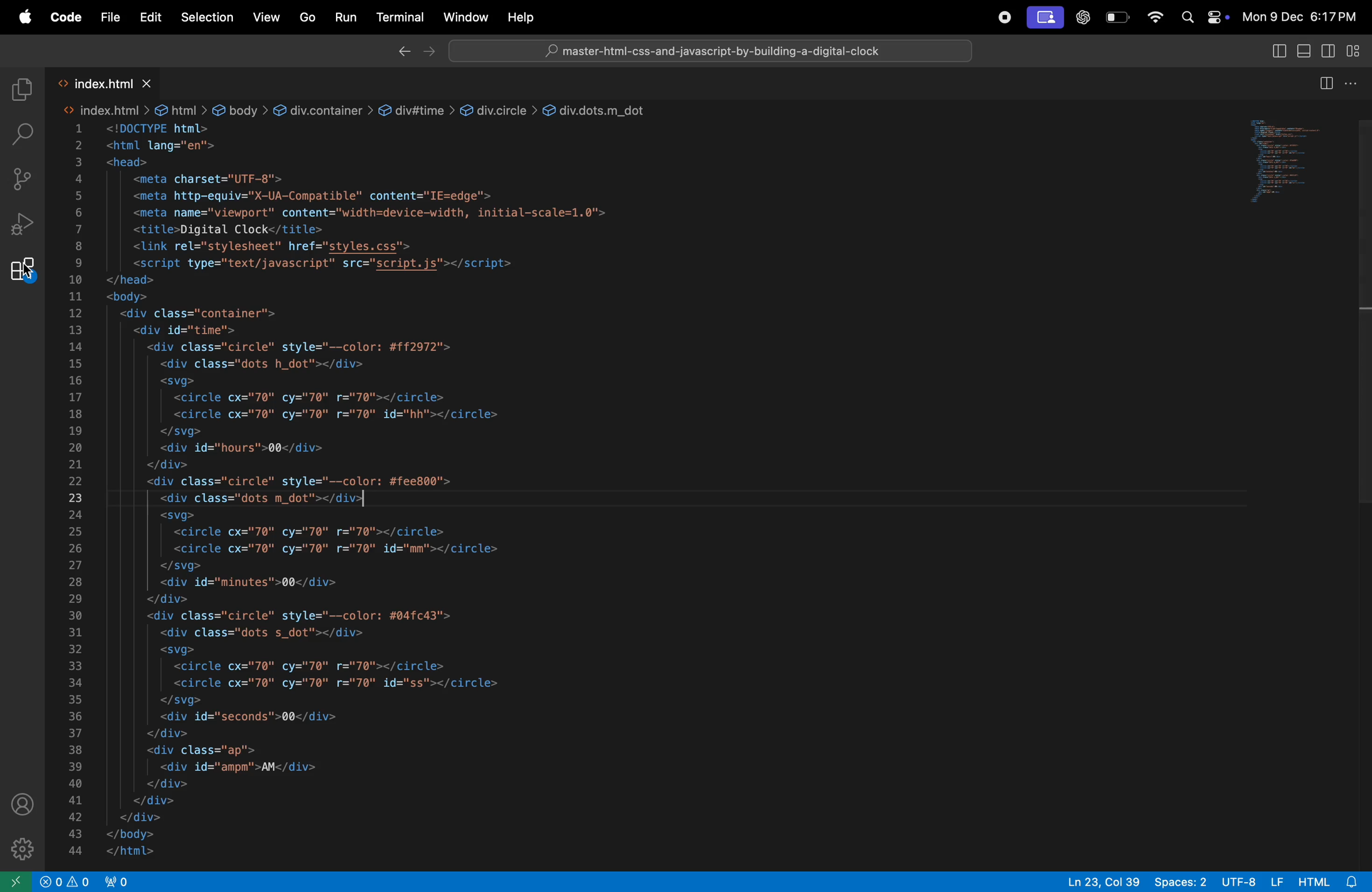  Describe the element at coordinates (363, 500) in the screenshot. I see `cursor` at that location.